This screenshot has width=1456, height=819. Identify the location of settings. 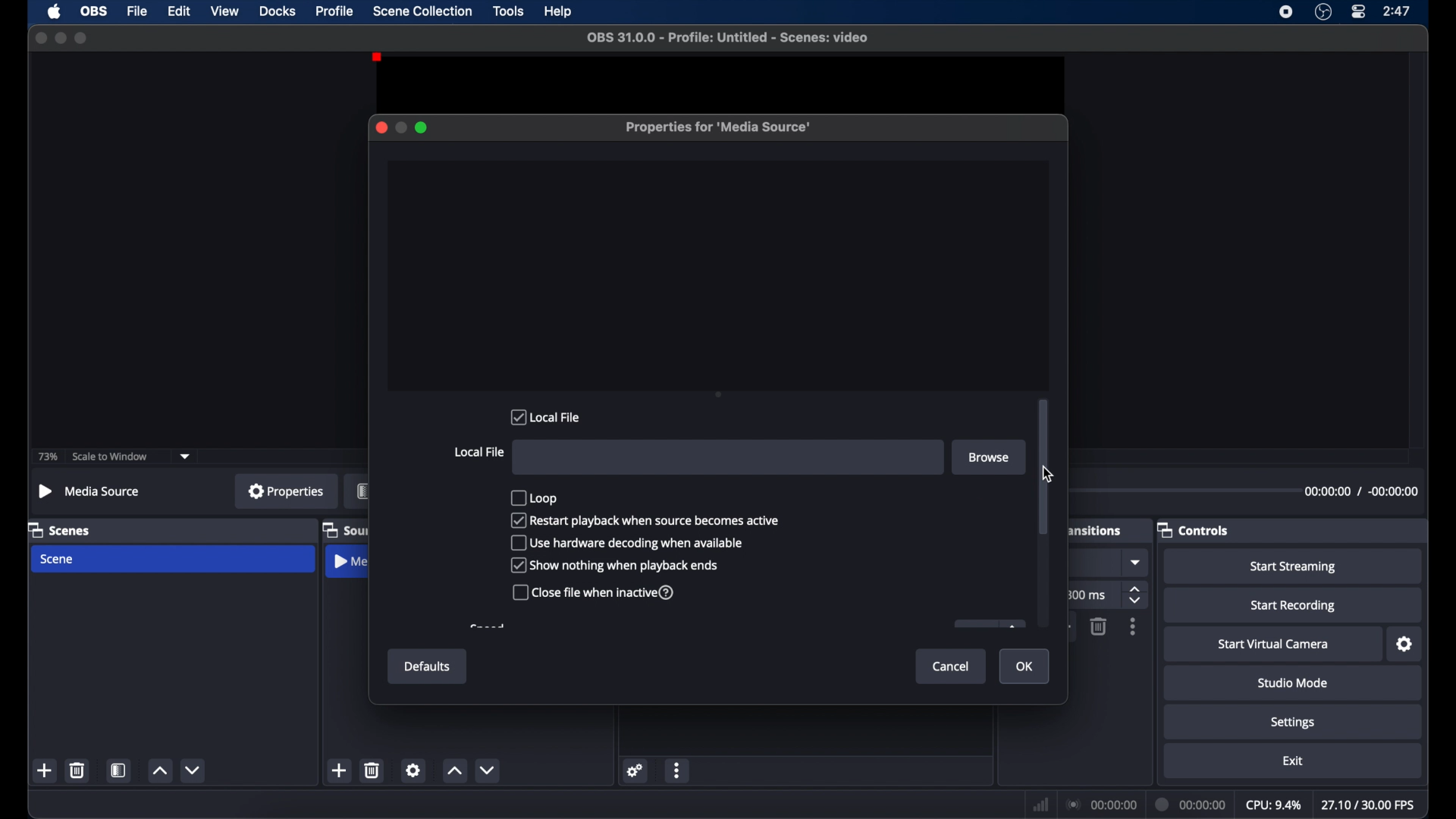
(1404, 645).